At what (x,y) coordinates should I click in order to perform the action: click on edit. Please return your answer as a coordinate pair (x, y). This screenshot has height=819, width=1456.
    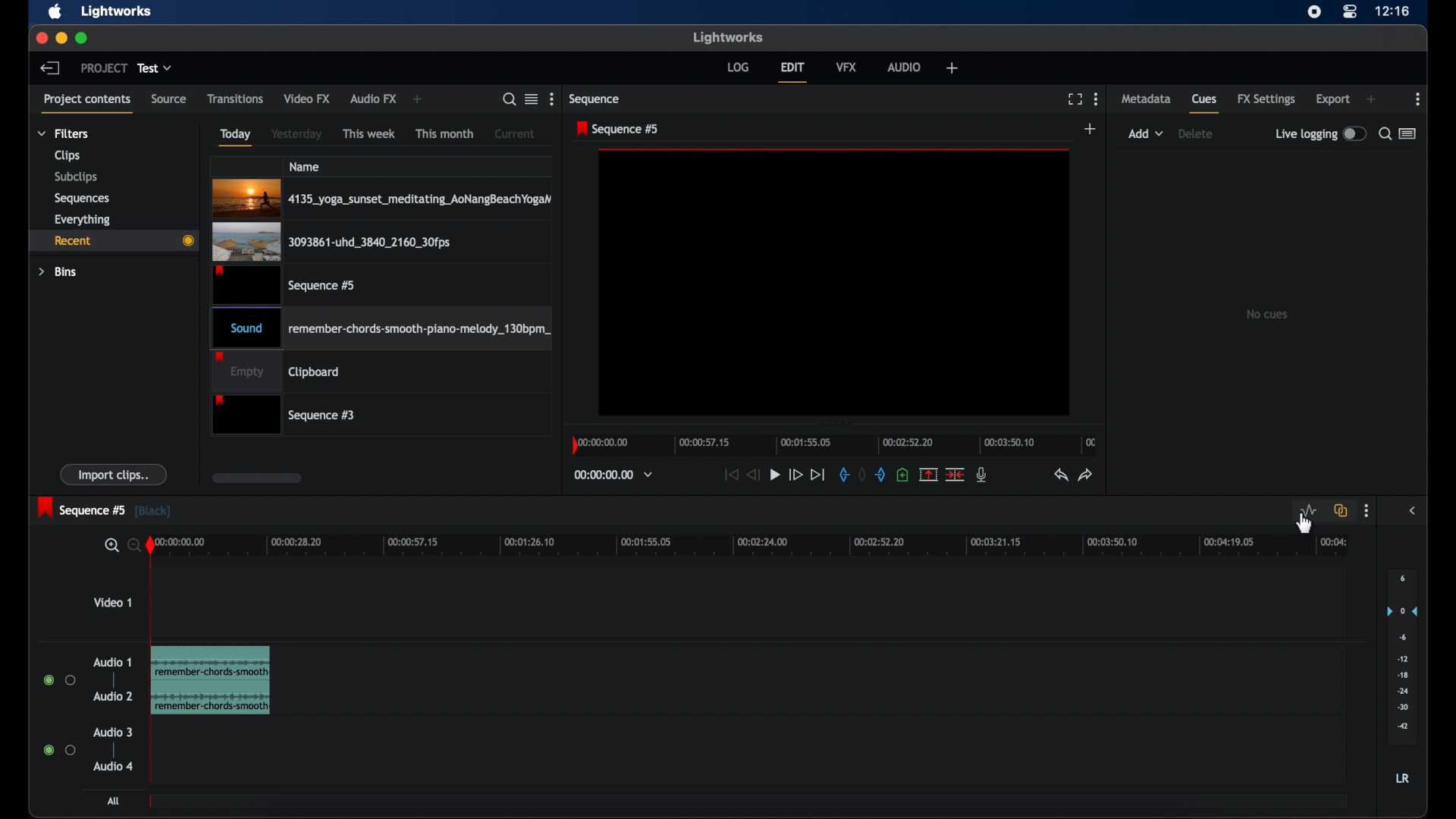
    Looking at the image, I should click on (792, 72).